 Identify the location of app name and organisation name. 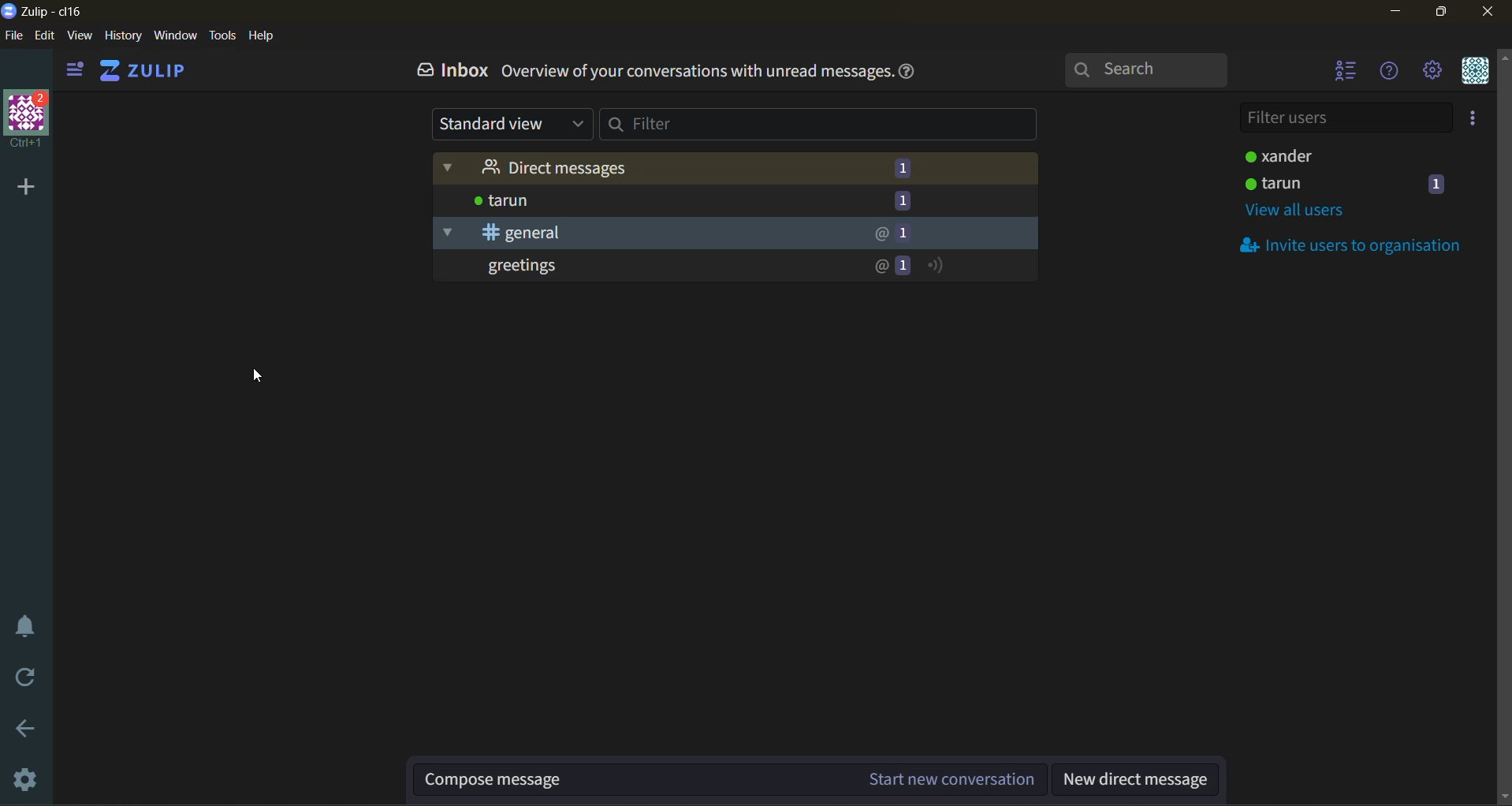
(47, 12).